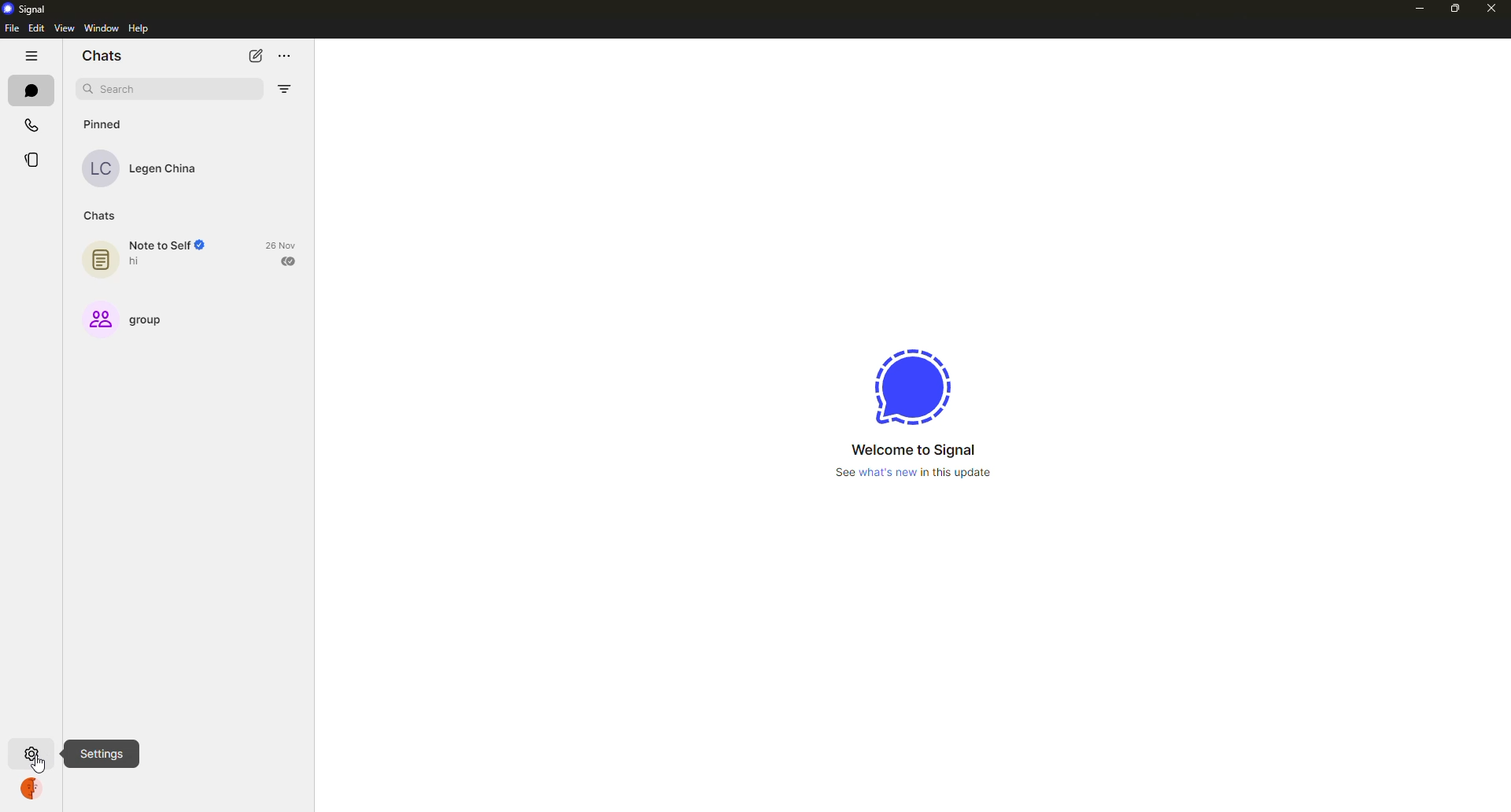  Describe the element at coordinates (35, 29) in the screenshot. I see `edit` at that location.